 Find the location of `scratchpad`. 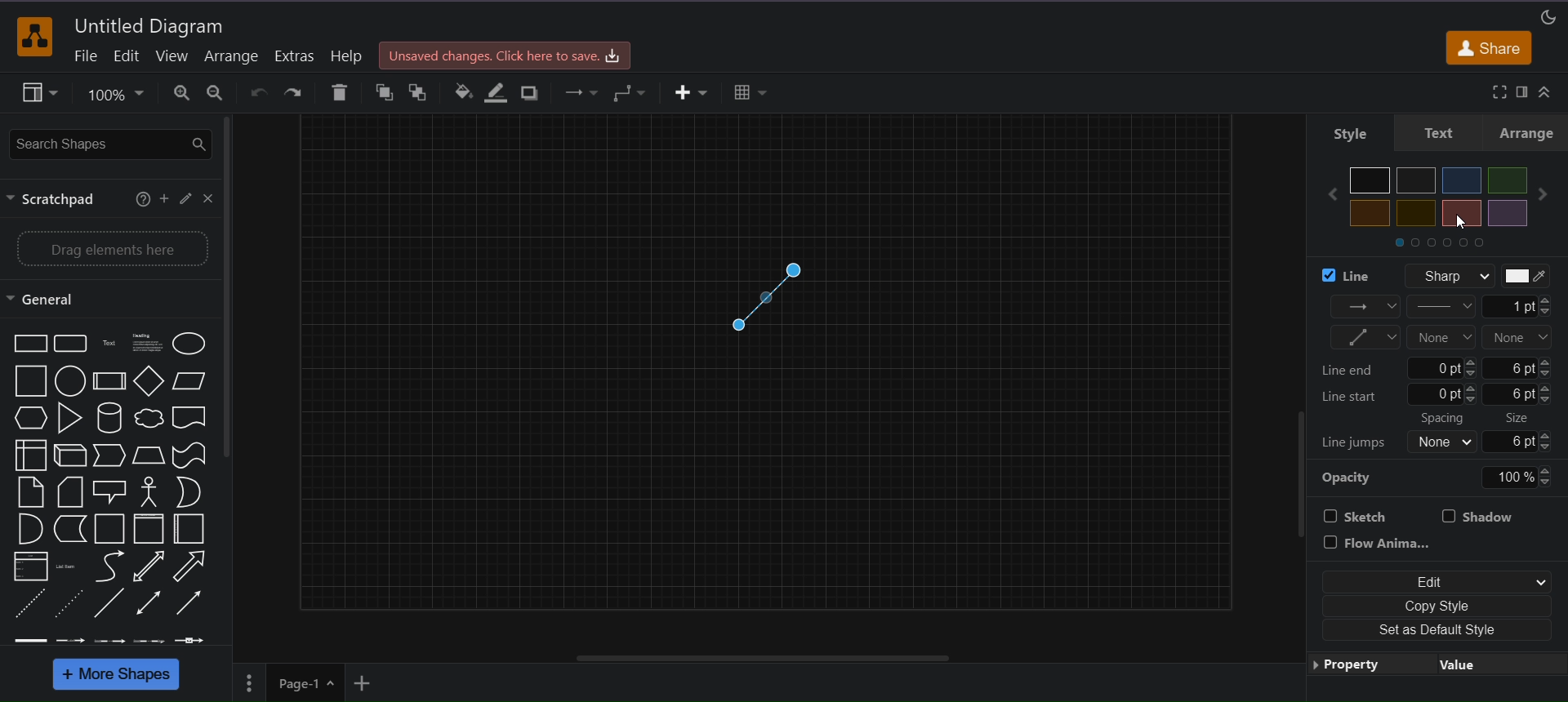

scratchpad is located at coordinates (56, 200).